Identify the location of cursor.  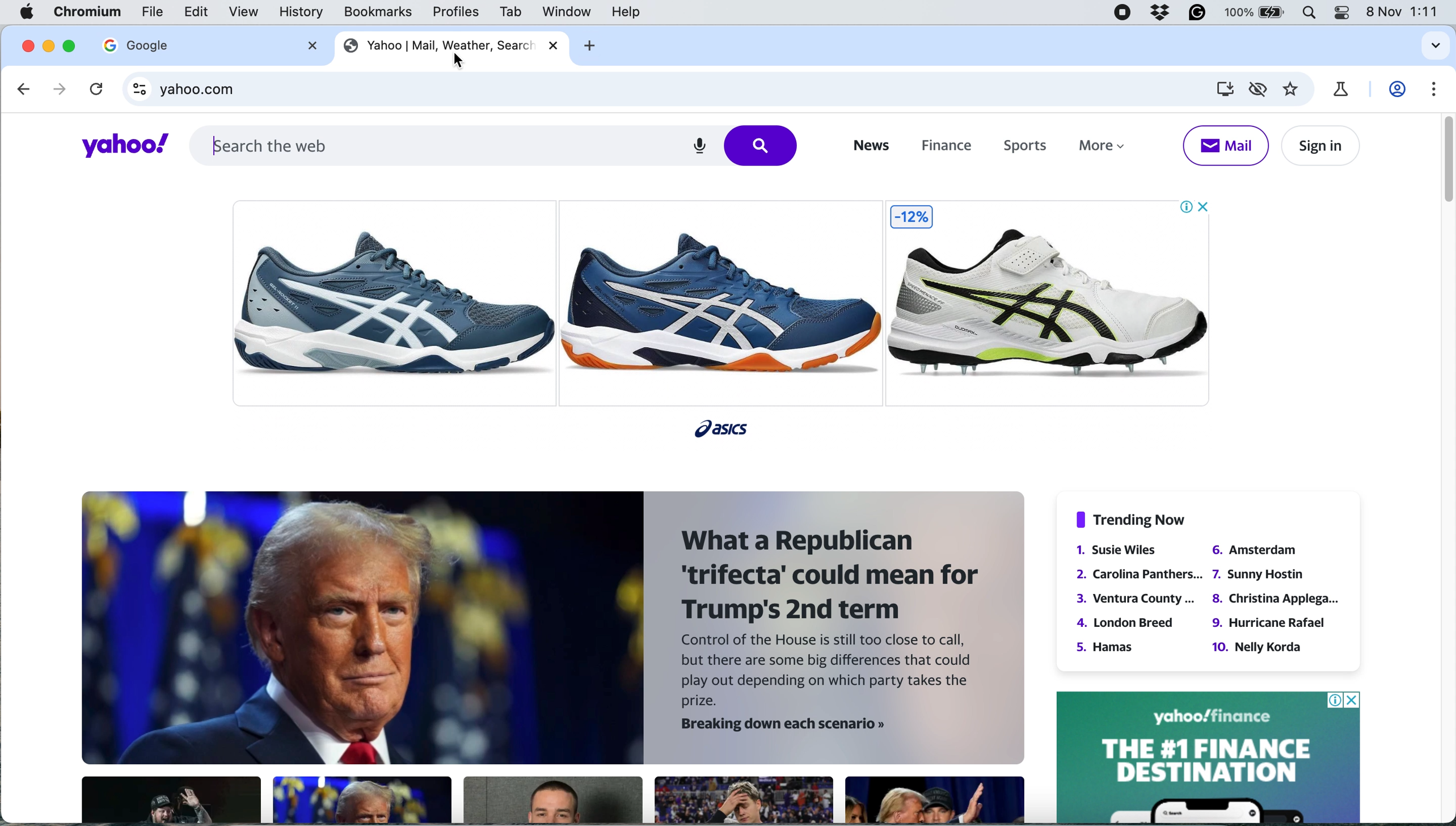
(453, 61).